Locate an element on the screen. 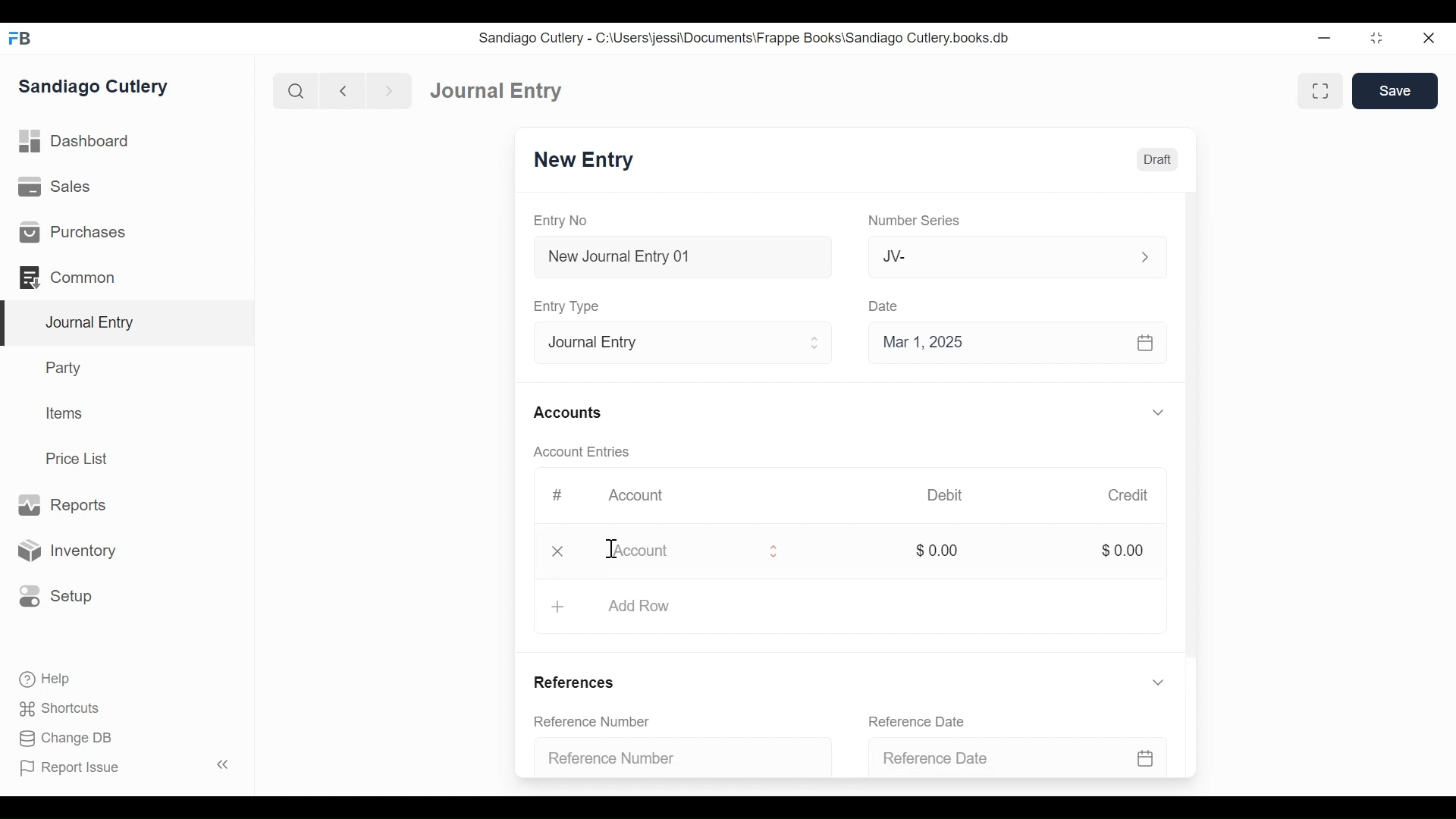  delete is located at coordinates (554, 551).